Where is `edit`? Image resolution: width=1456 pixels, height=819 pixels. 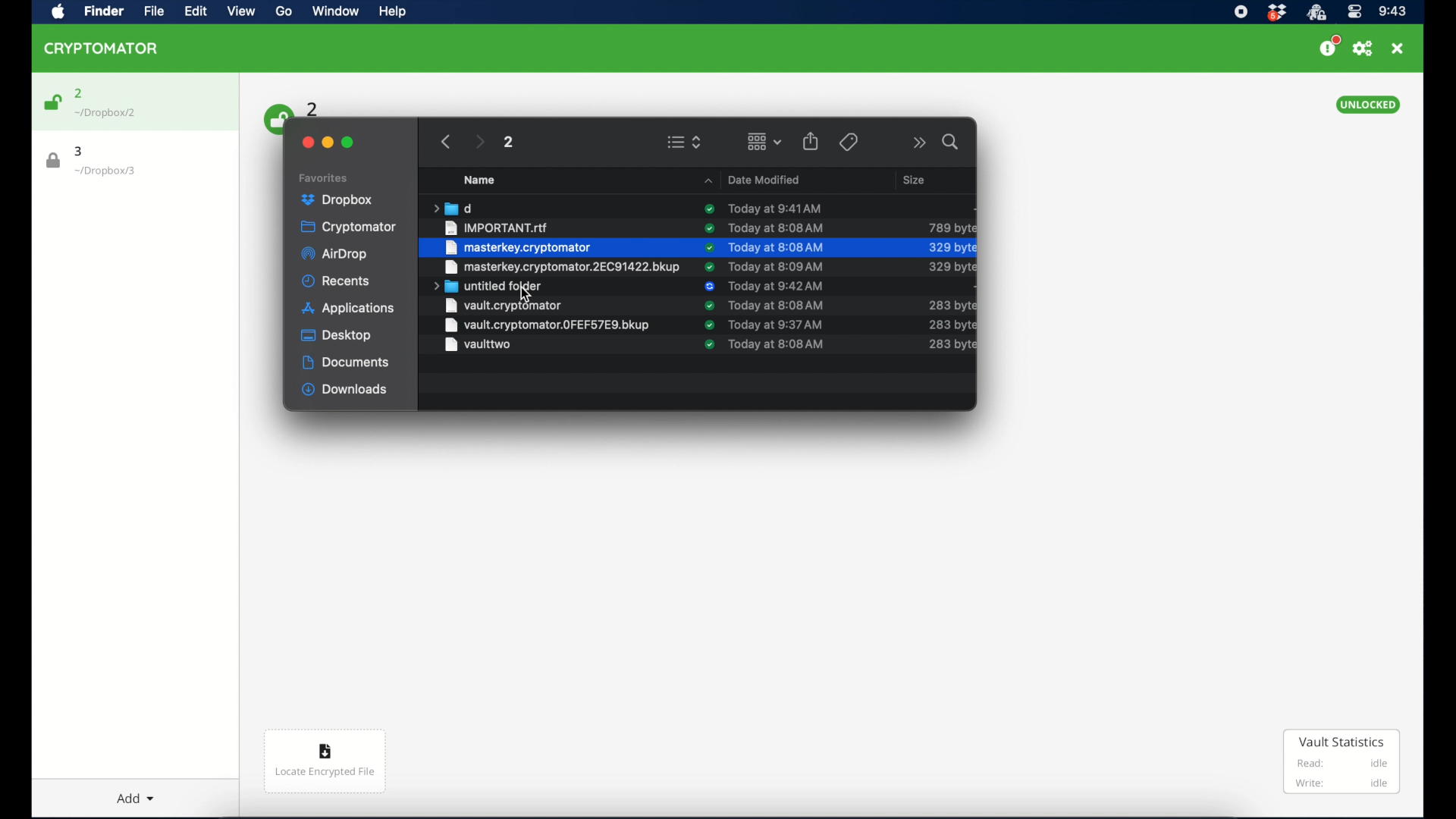
edit is located at coordinates (195, 11).